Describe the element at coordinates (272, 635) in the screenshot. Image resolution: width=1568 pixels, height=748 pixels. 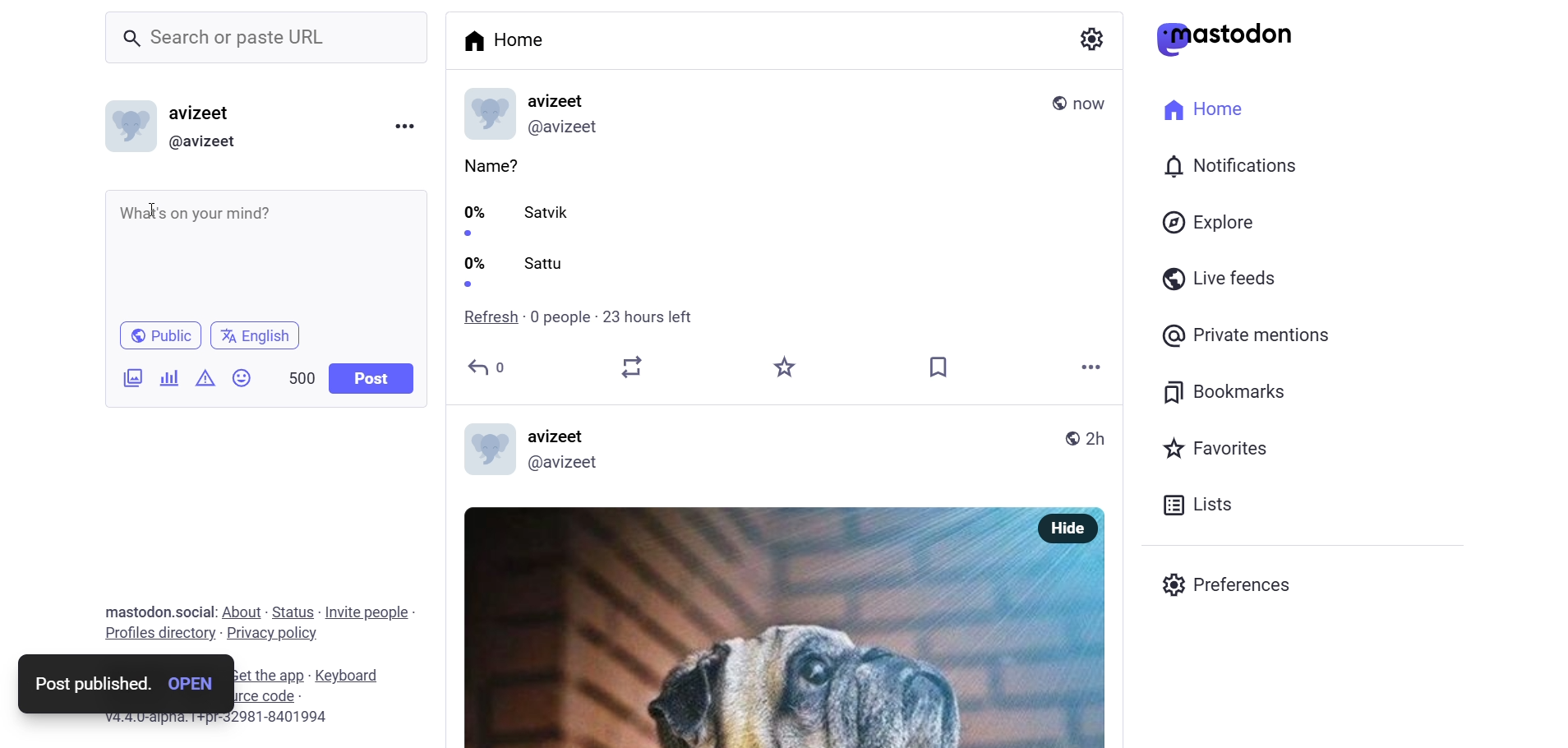
I see `privacy policy` at that location.